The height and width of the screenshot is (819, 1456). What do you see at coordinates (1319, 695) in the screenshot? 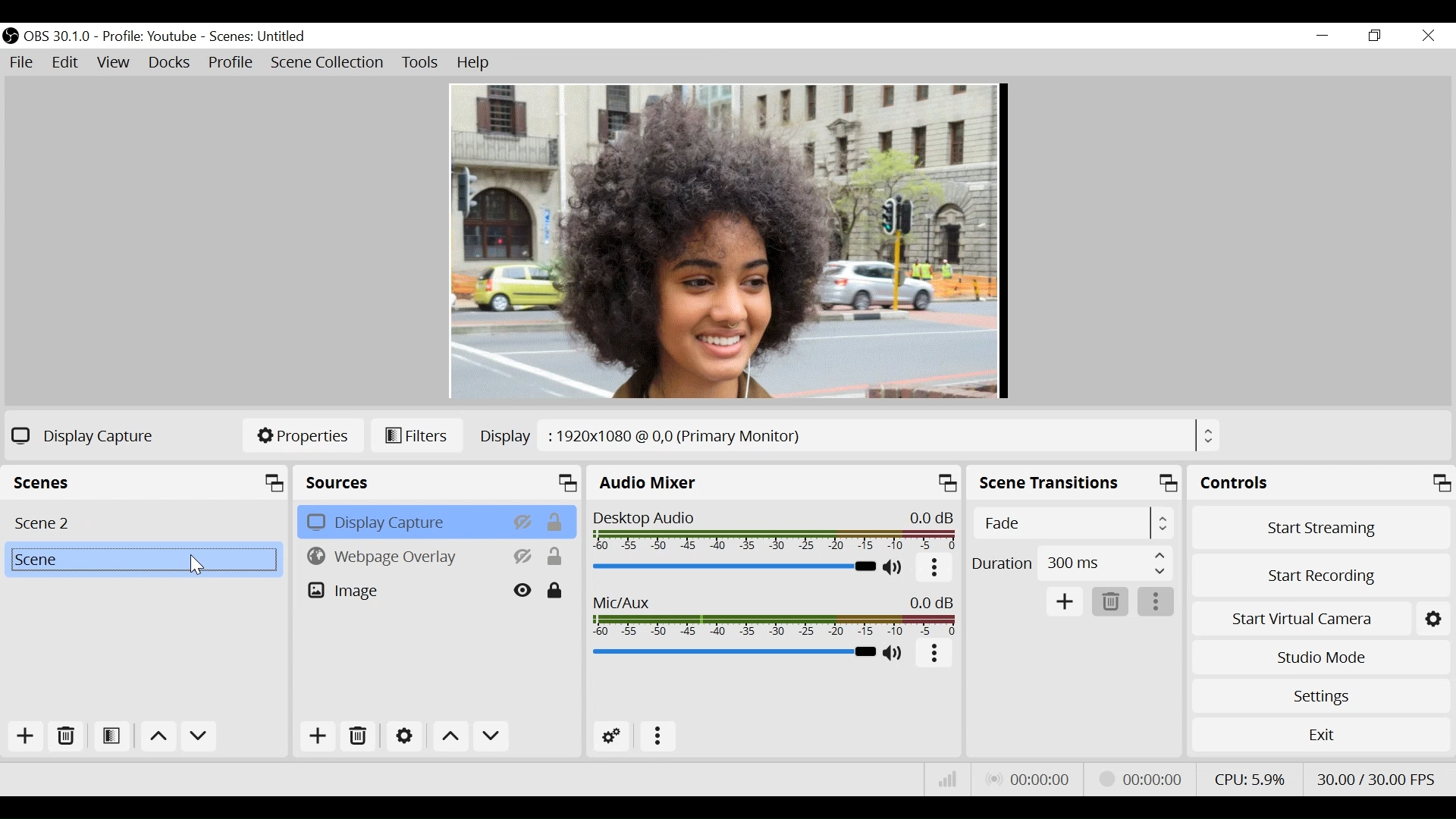
I see `Settings` at bounding box center [1319, 695].